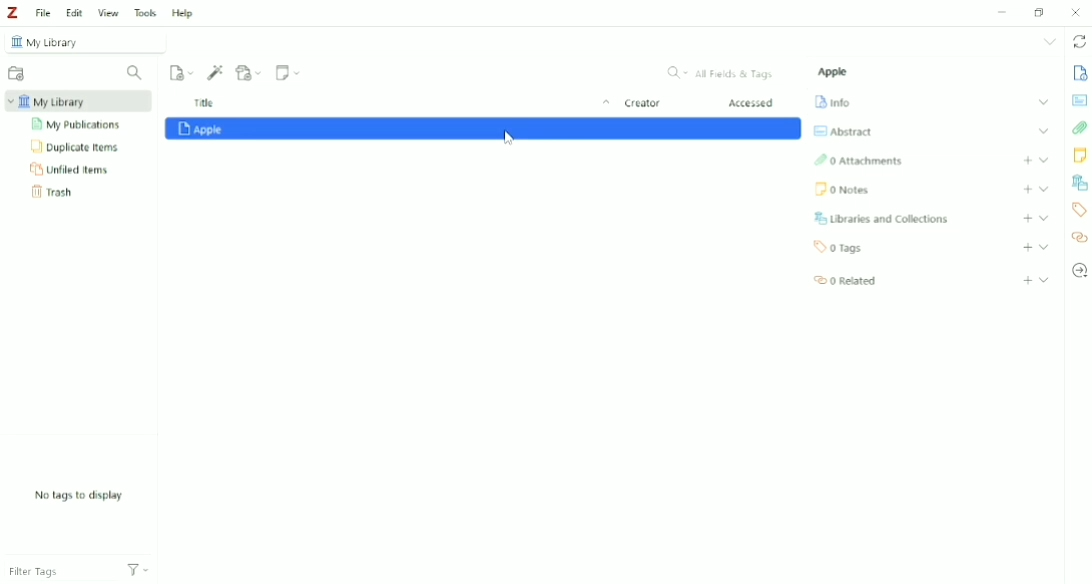 This screenshot has height=584, width=1092. What do you see at coordinates (249, 72) in the screenshot?
I see `Add Attachment` at bounding box center [249, 72].